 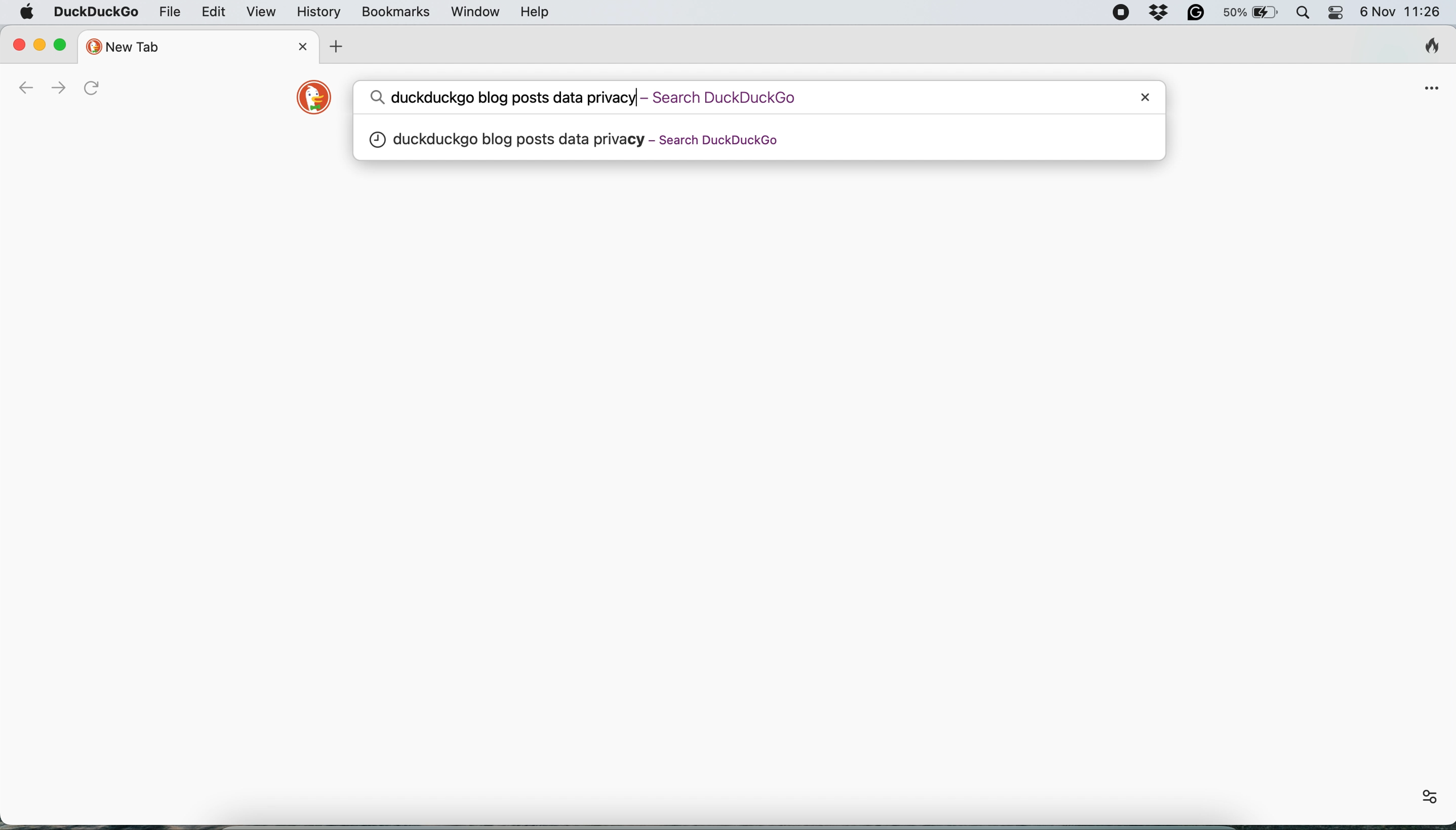 What do you see at coordinates (41, 47) in the screenshot?
I see `minimise` at bounding box center [41, 47].